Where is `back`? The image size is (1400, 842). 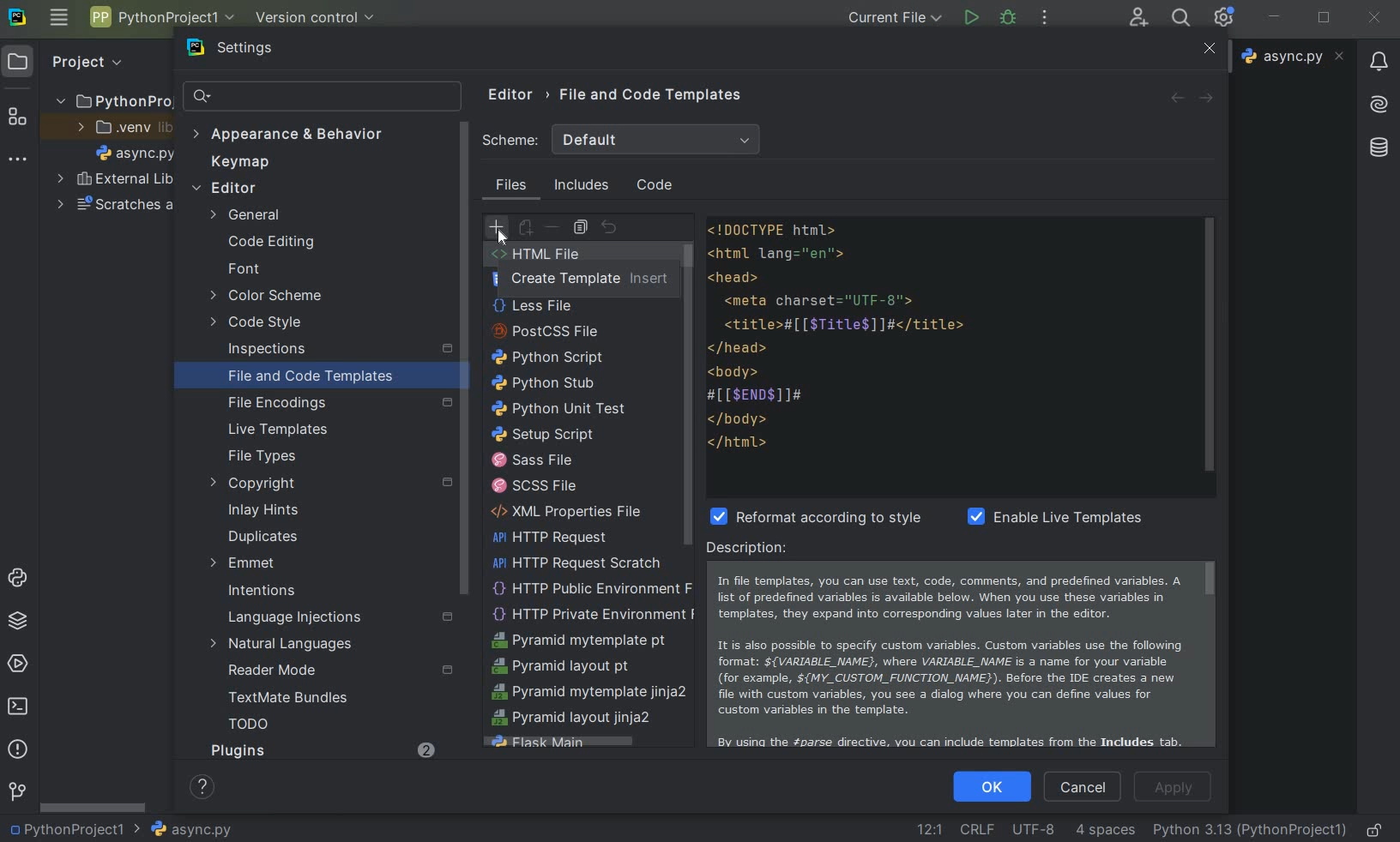 back is located at coordinates (1177, 98).